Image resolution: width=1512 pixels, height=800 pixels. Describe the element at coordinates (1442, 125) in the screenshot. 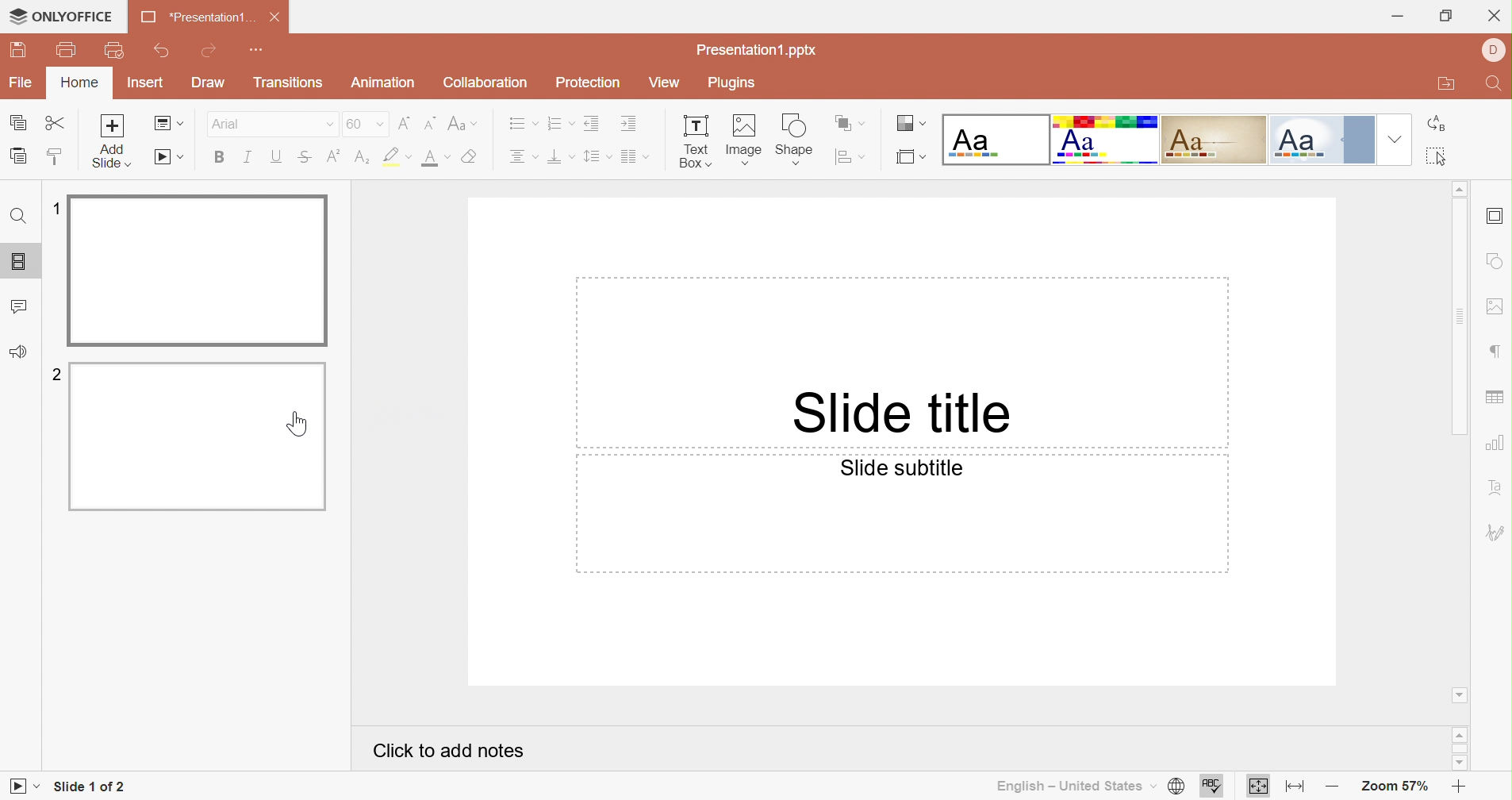

I see `Replace` at that location.